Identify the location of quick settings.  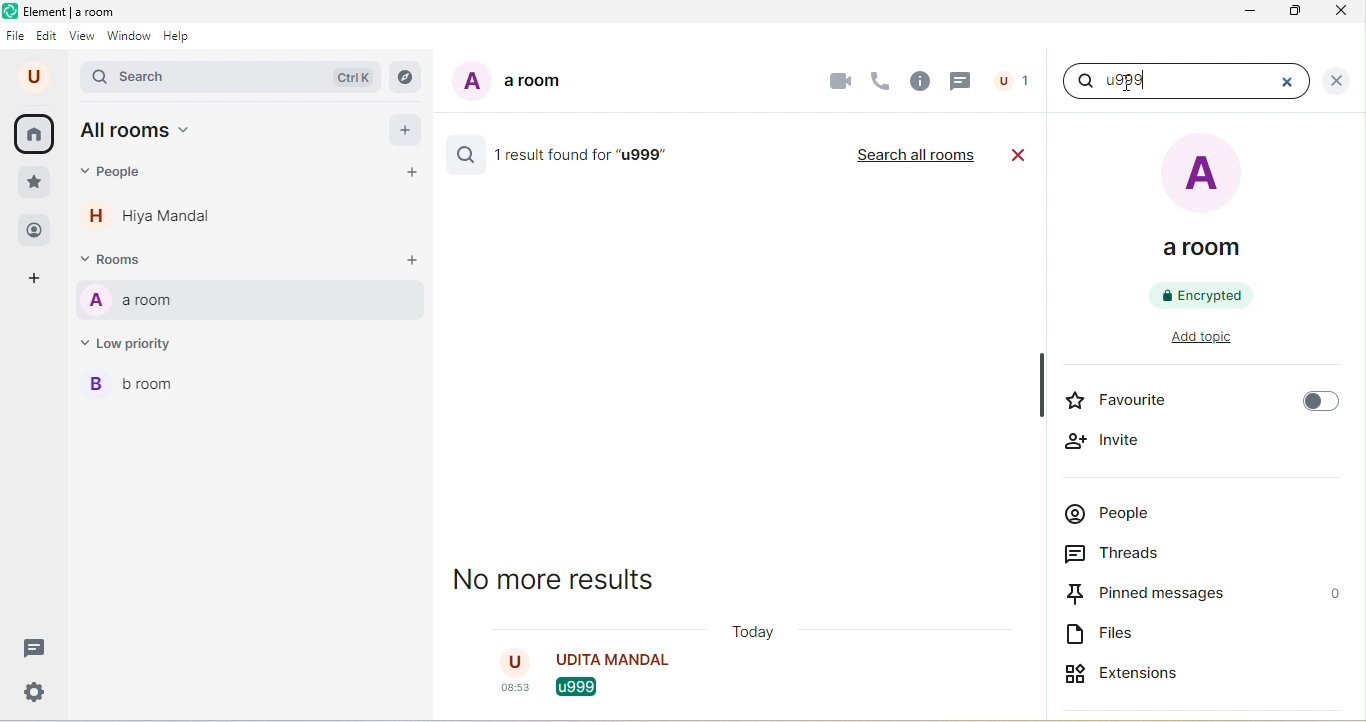
(30, 692).